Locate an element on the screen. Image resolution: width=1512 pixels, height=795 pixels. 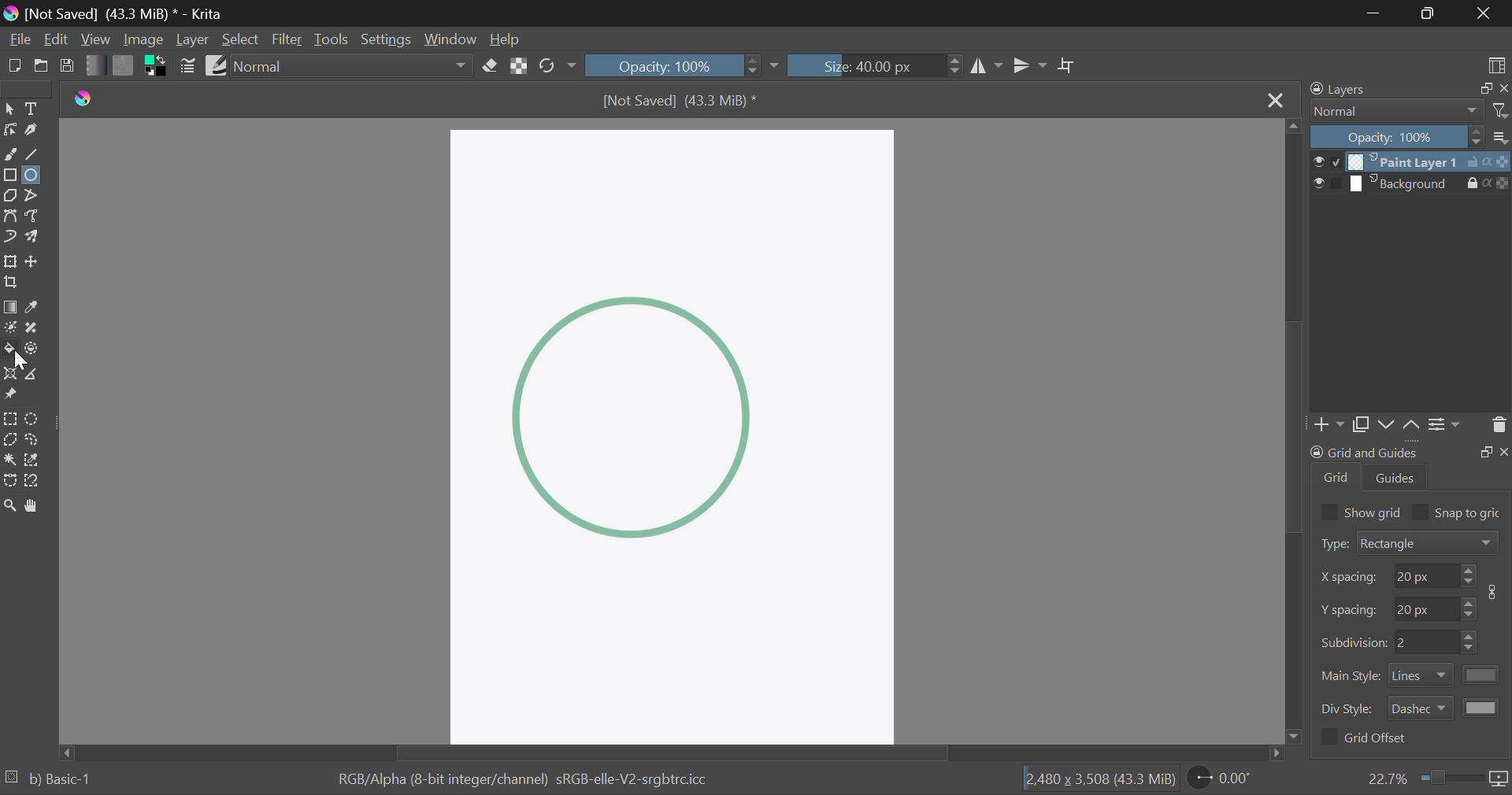
Polygon Selection is located at coordinates (9, 441).